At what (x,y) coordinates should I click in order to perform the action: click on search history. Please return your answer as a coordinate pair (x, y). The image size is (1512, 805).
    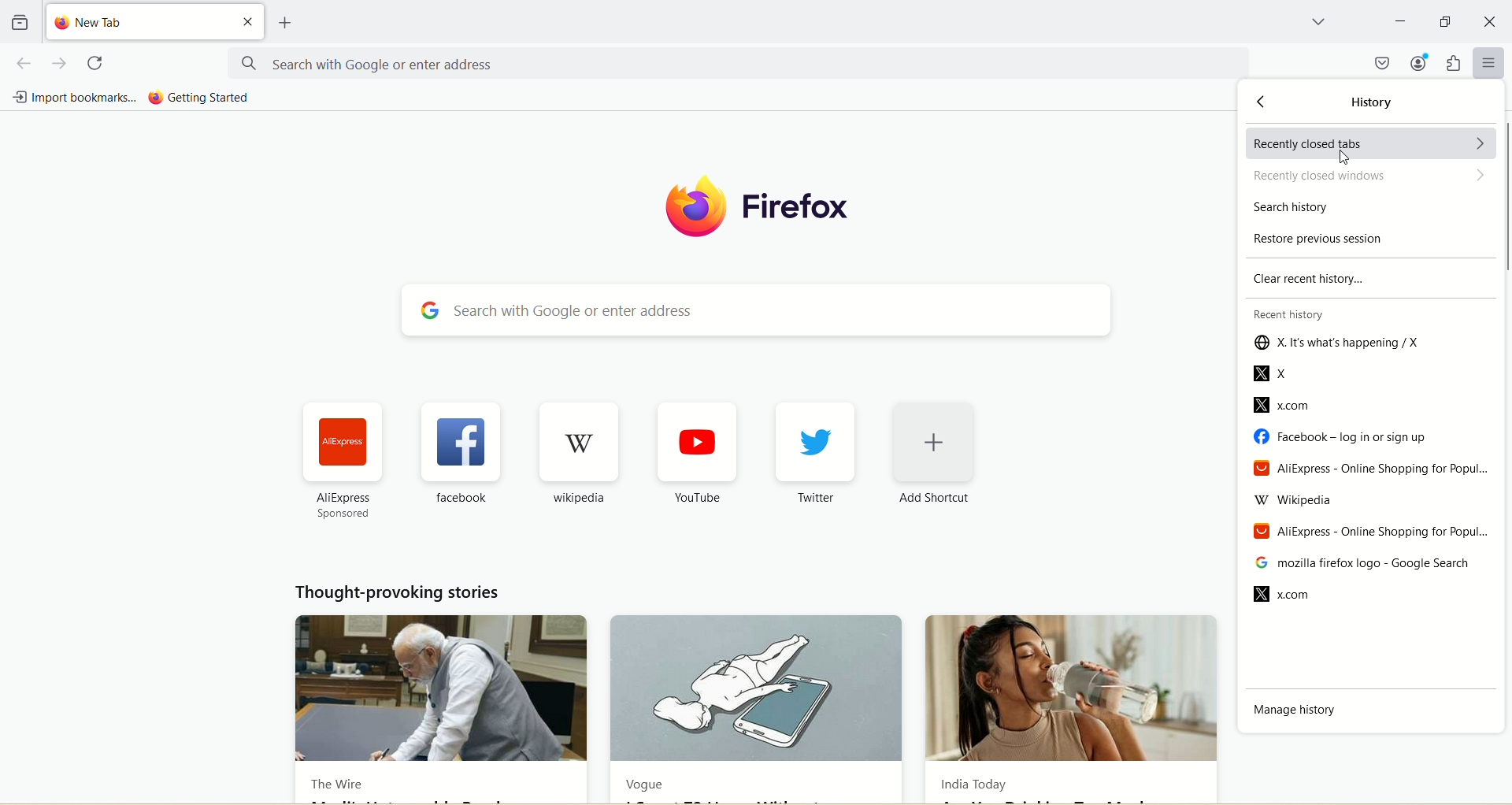
    Looking at the image, I should click on (1375, 206).